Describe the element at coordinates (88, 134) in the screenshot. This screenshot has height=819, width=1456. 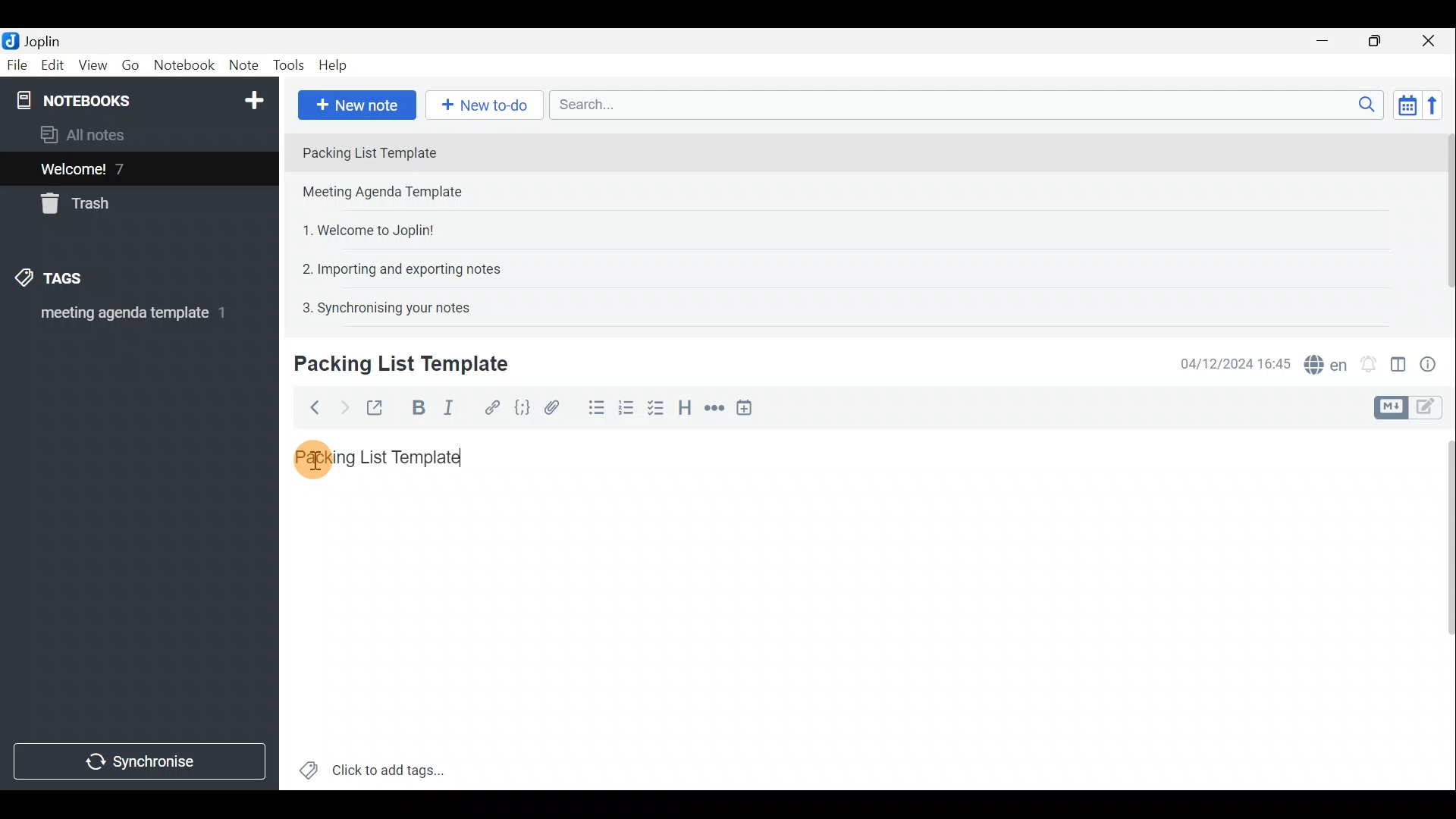
I see `All notes` at that location.